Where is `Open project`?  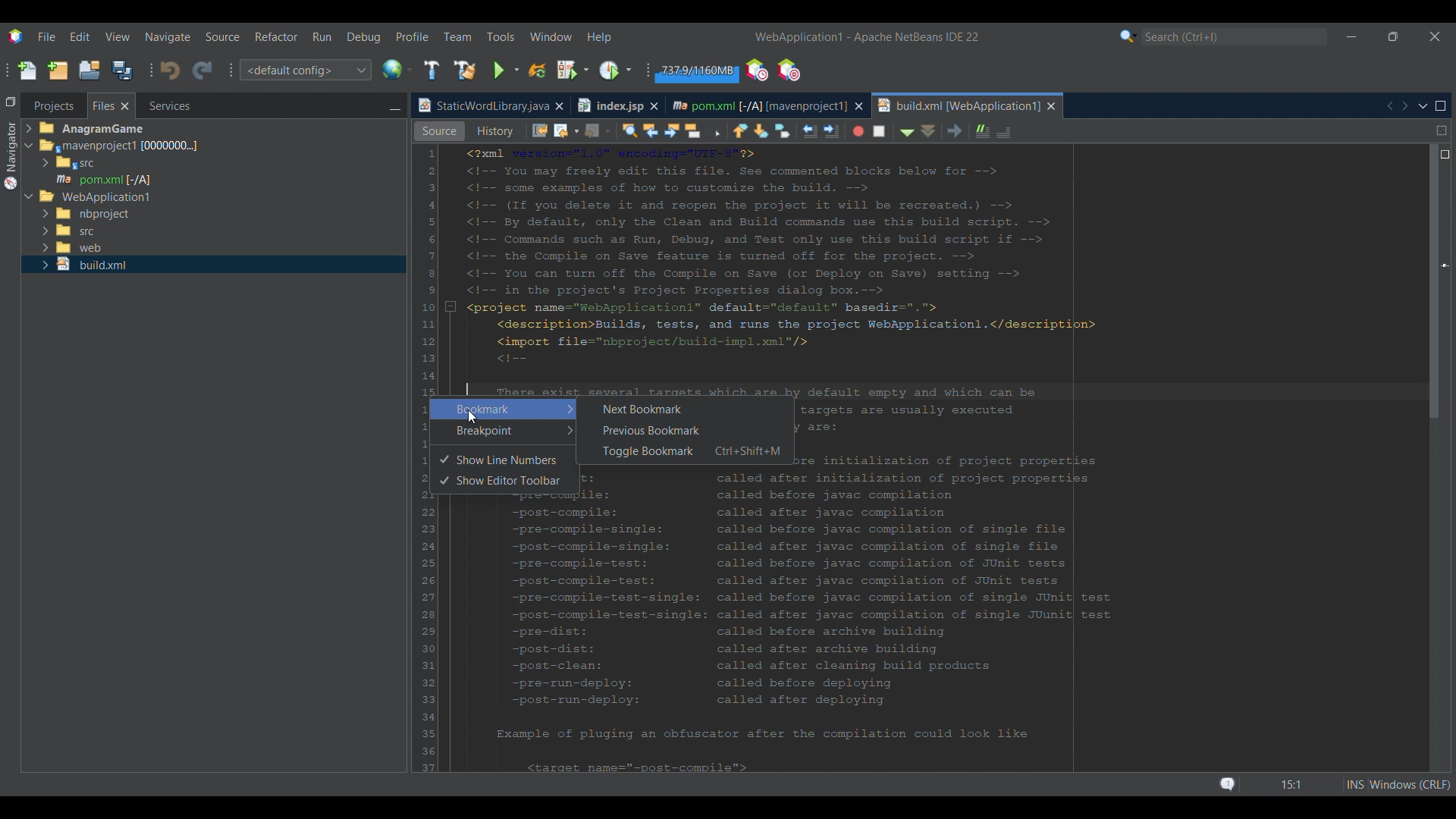
Open project is located at coordinates (89, 70).